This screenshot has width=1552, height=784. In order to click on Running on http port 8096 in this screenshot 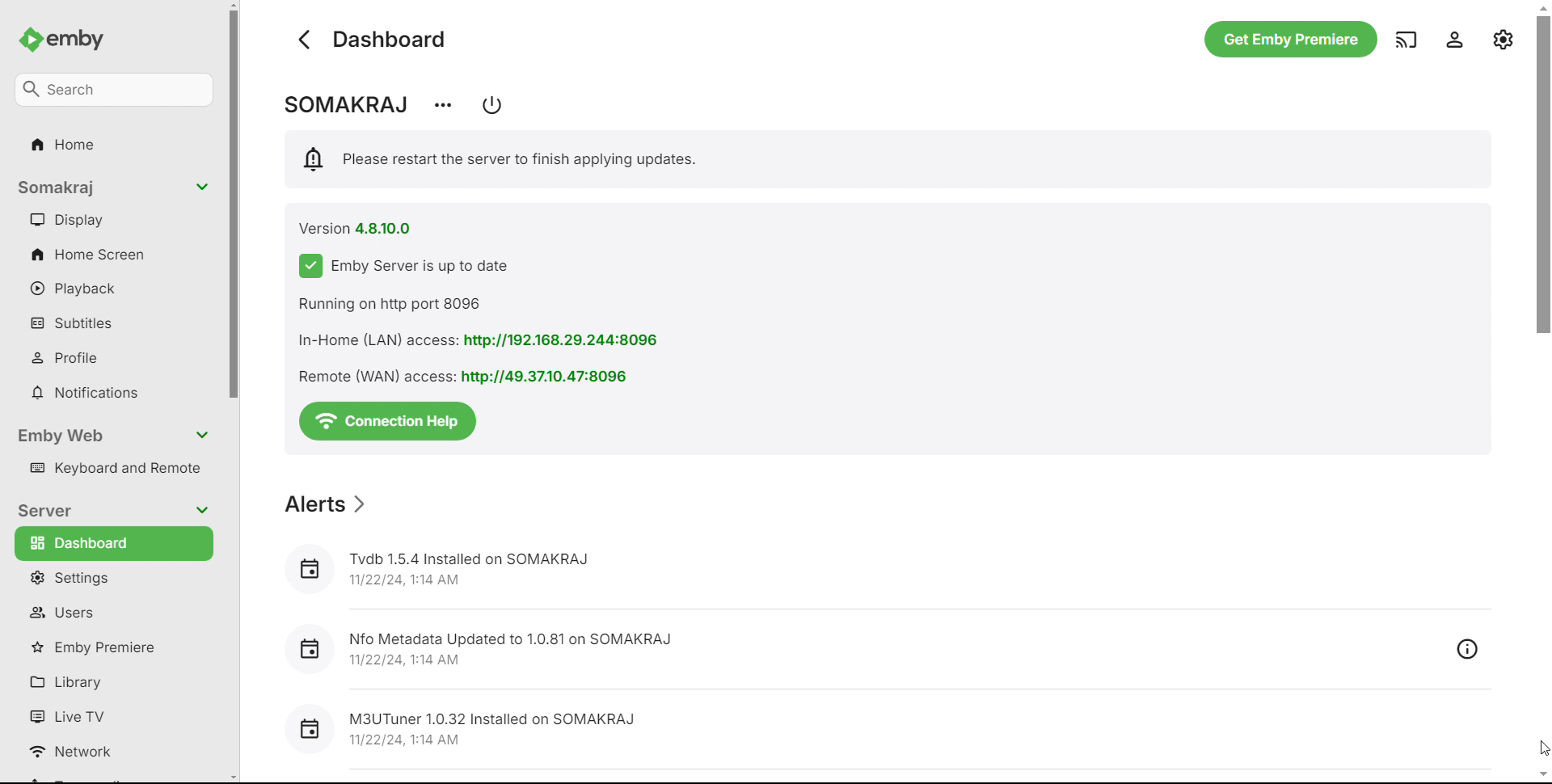, I will do `click(390, 301)`.